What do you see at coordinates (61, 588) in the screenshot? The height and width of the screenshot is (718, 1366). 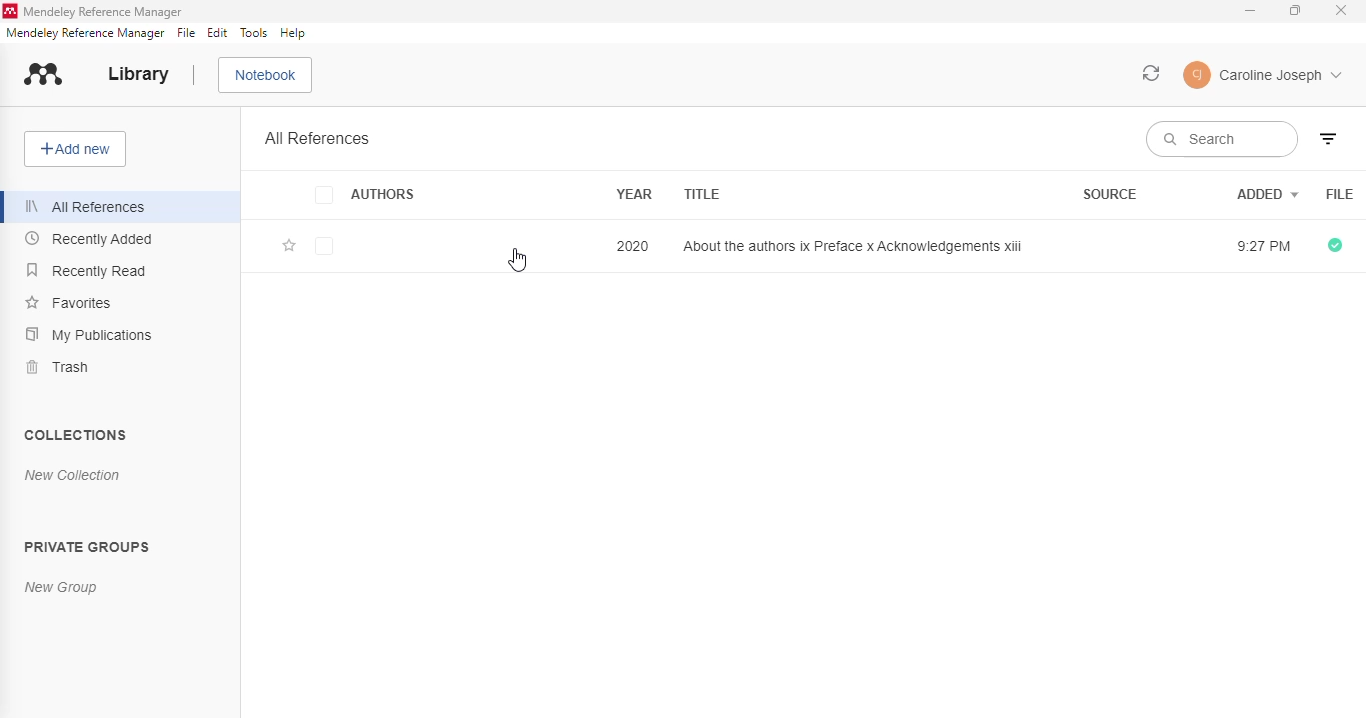 I see `new group` at bounding box center [61, 588].